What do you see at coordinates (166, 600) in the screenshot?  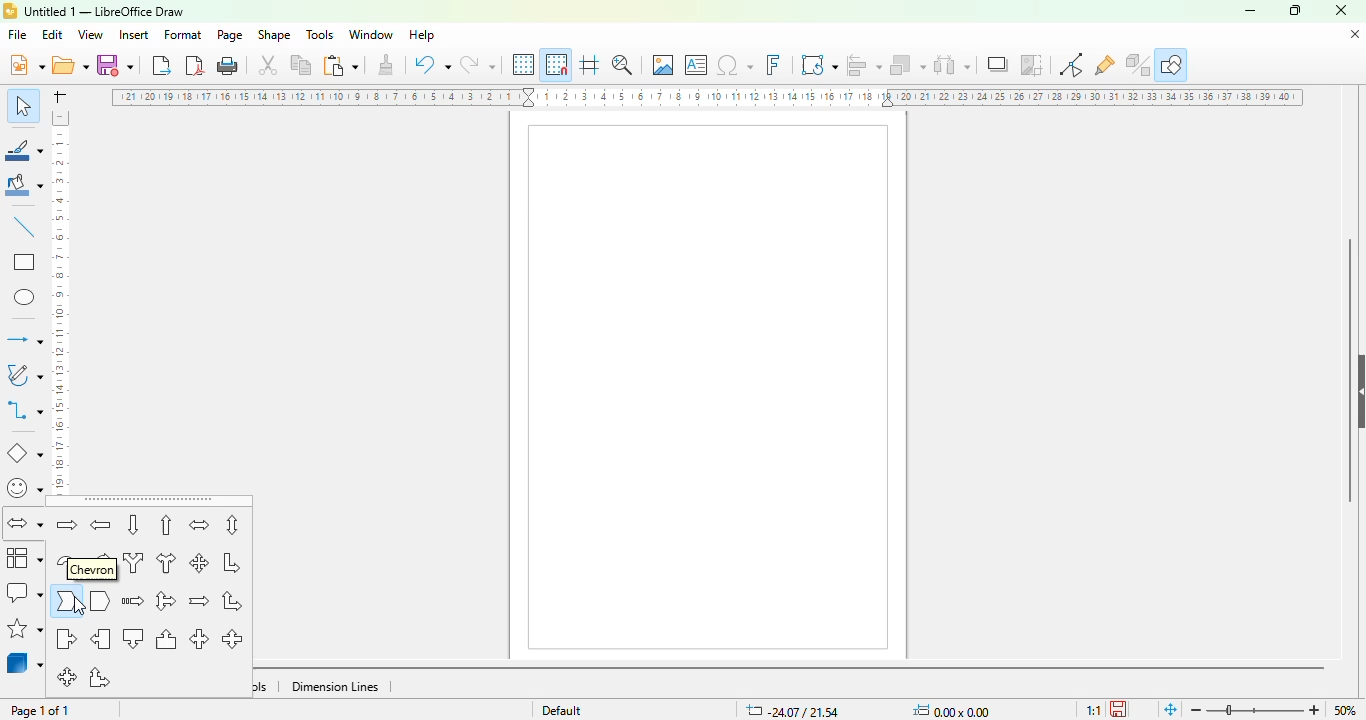 I see `up, right and down arrow` at bounding box center [166, 600].